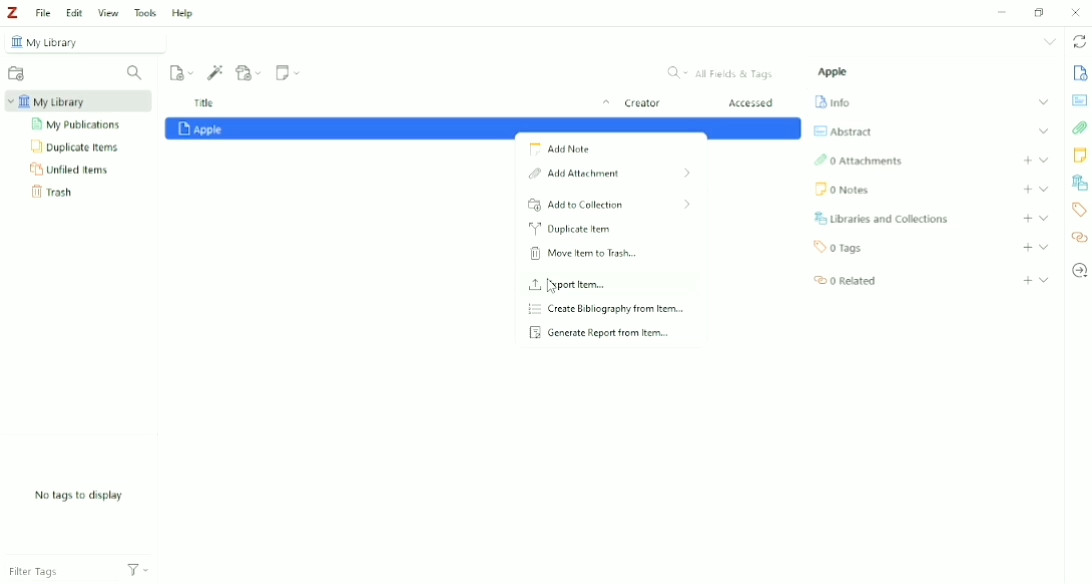  I want to click on No tags to display, so click(77, 495).